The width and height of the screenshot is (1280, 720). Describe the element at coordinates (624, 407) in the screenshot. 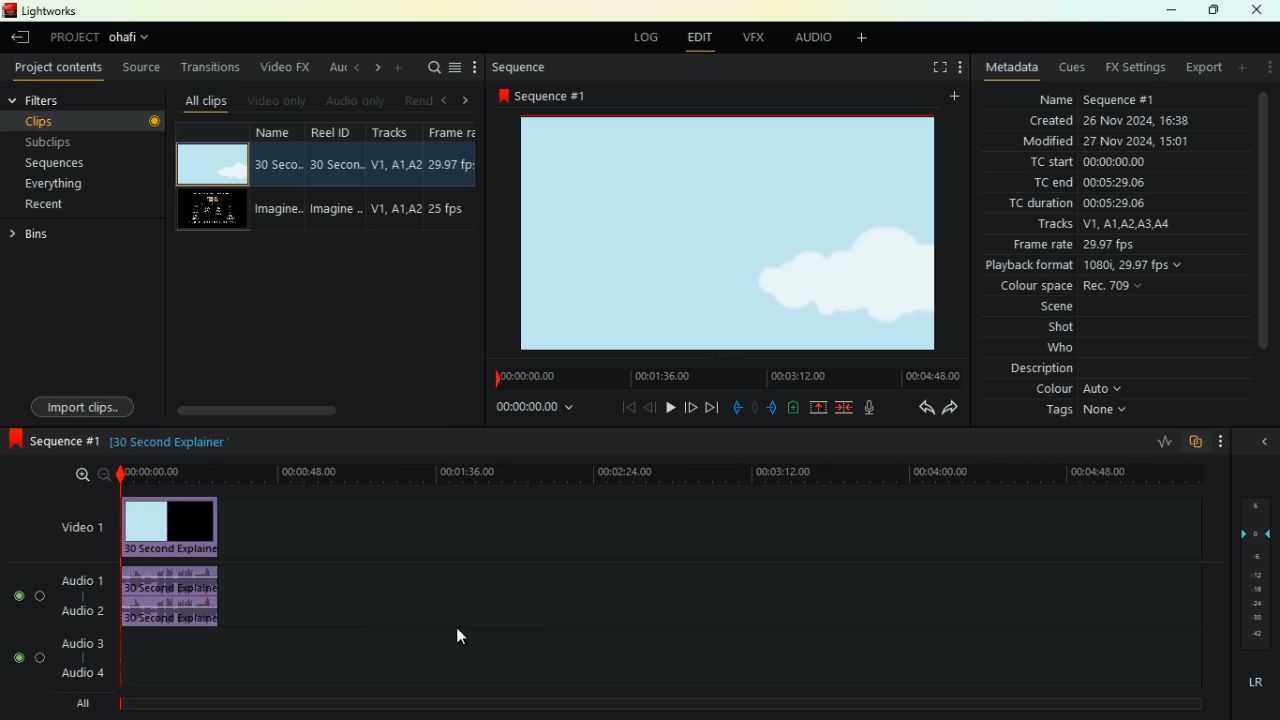

I see `beggining` at that location.